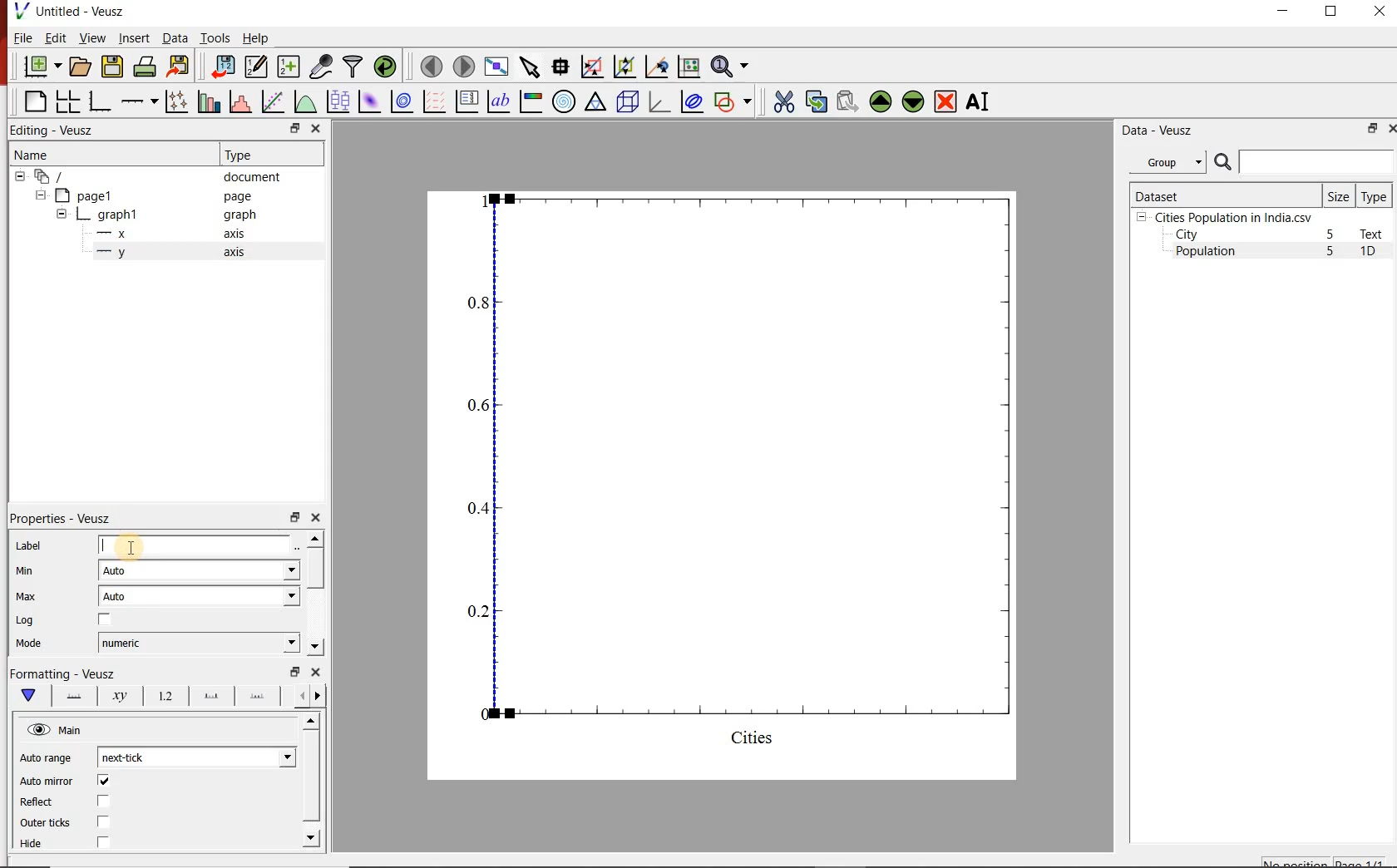 Image resolution: width=1397 pixels, height=868 pixels. I want to click on 1D, so click(1375, 253).